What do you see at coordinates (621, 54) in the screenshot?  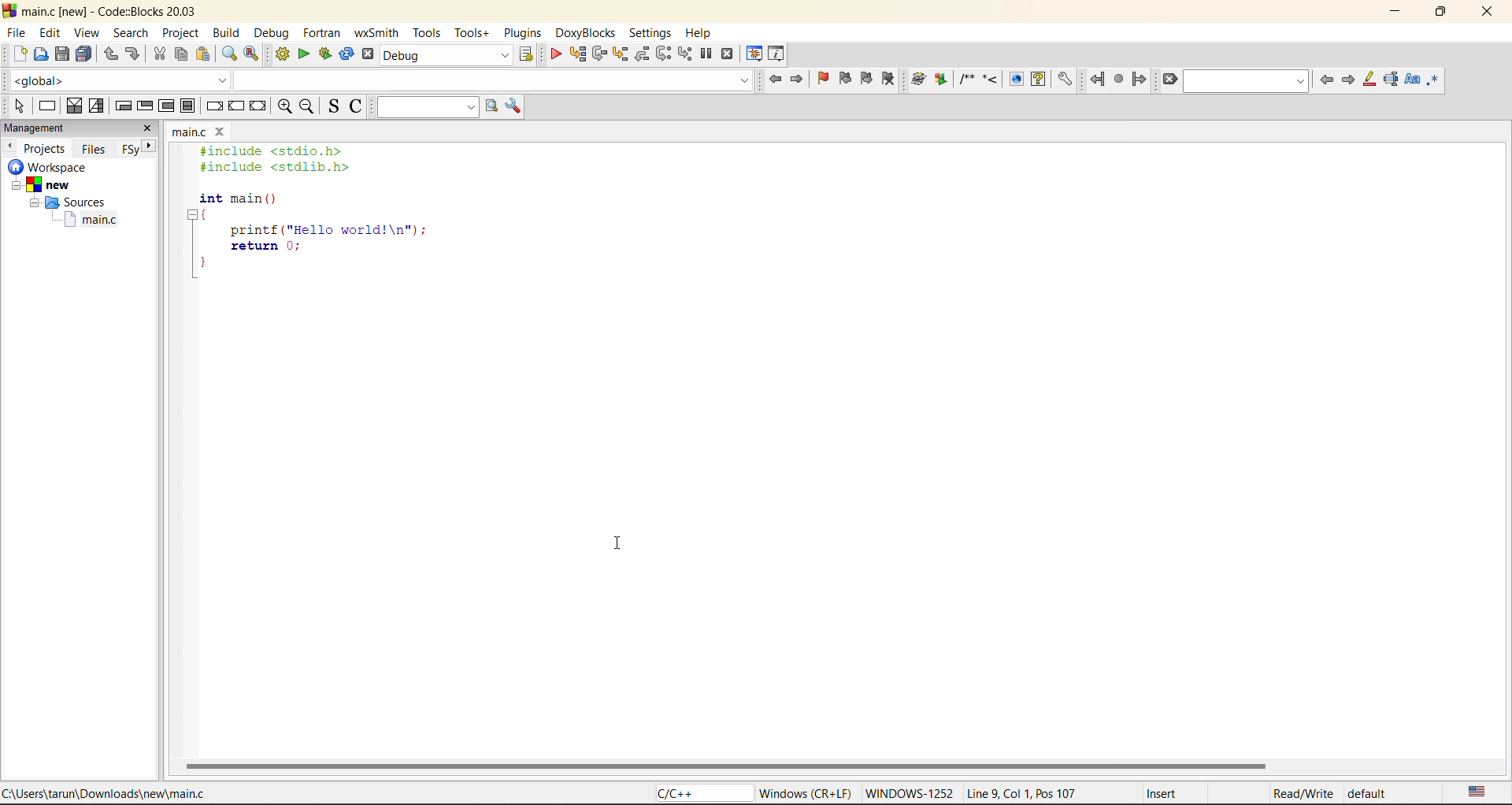 I see `step into` at bounding box center [621, 54].